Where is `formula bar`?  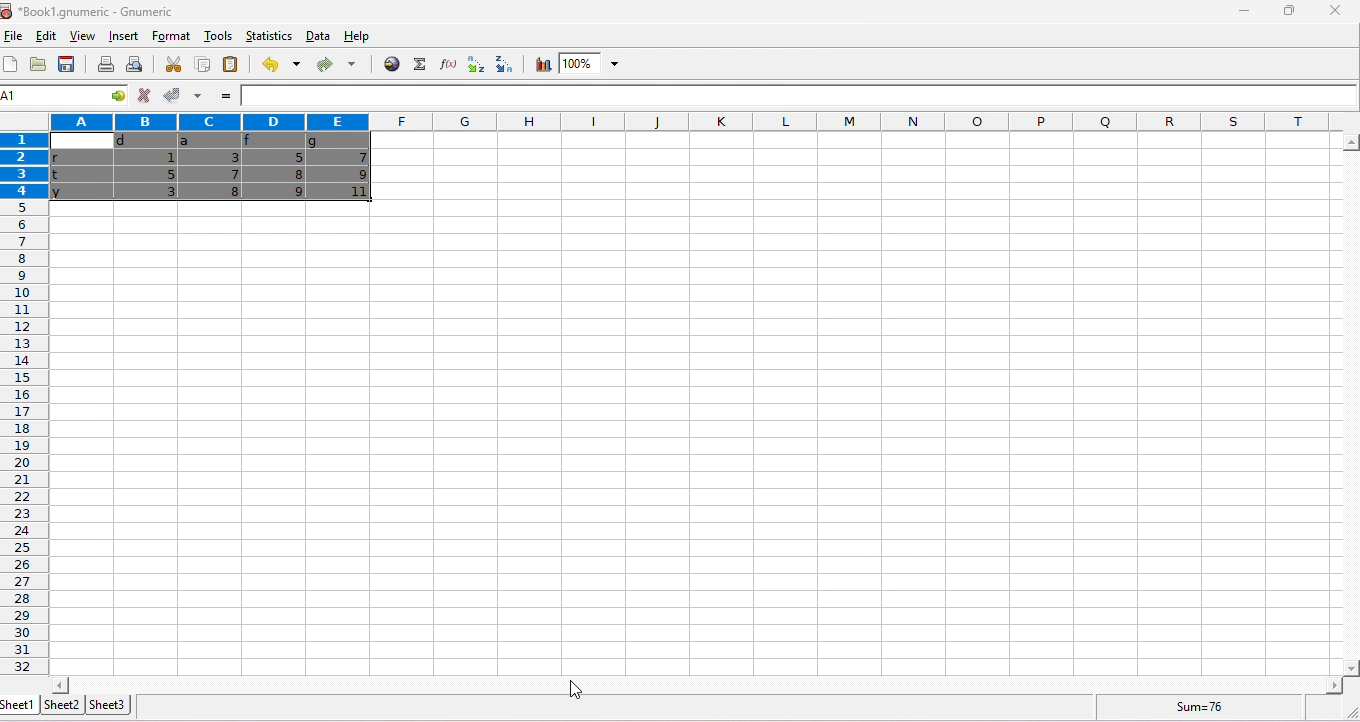
formula bar is located at coordinates (800, 96).